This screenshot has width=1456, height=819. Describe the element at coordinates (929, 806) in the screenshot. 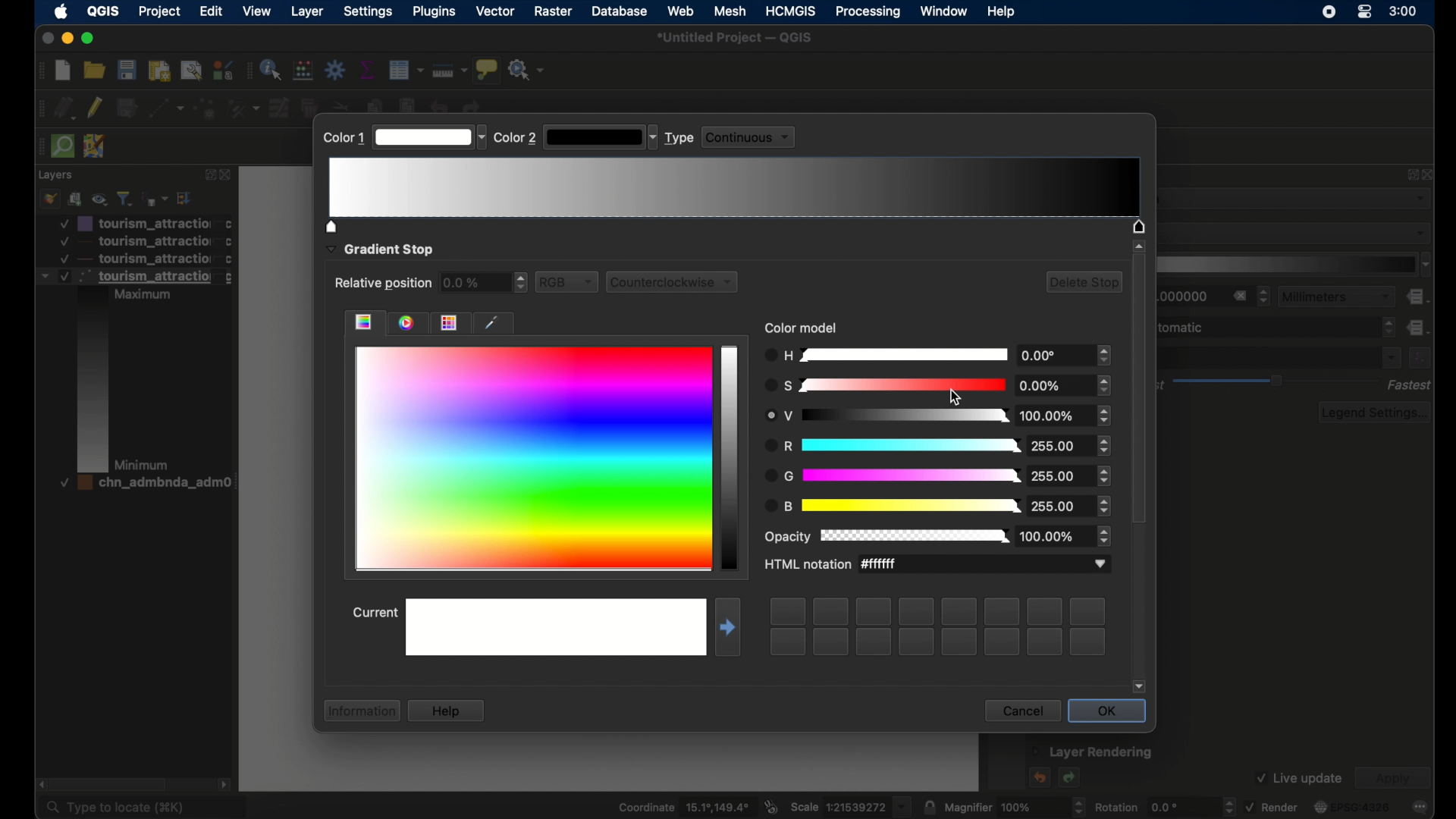

I see `lock scale` at that location.